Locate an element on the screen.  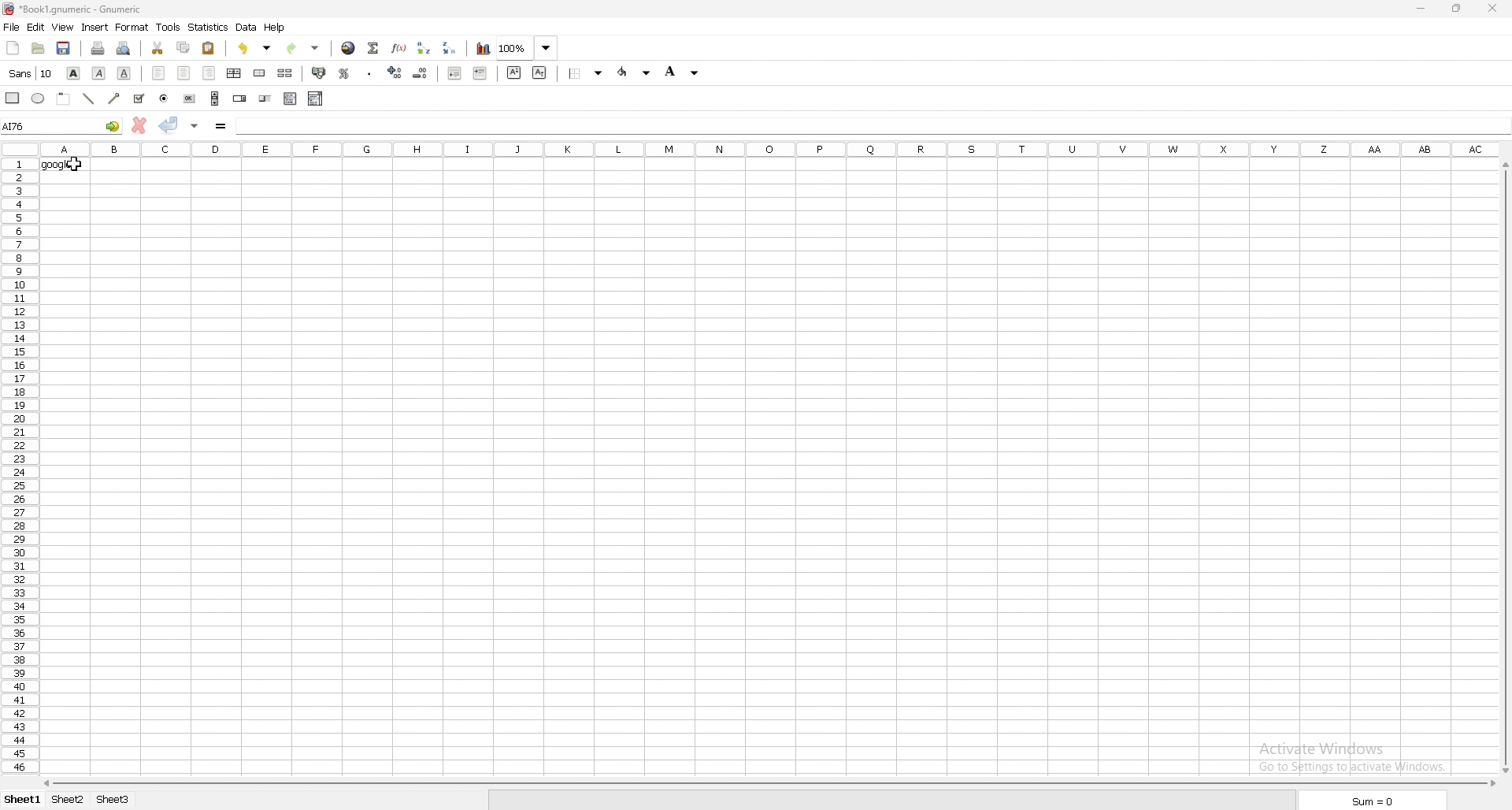
close is located at coordinates (1493, 8).